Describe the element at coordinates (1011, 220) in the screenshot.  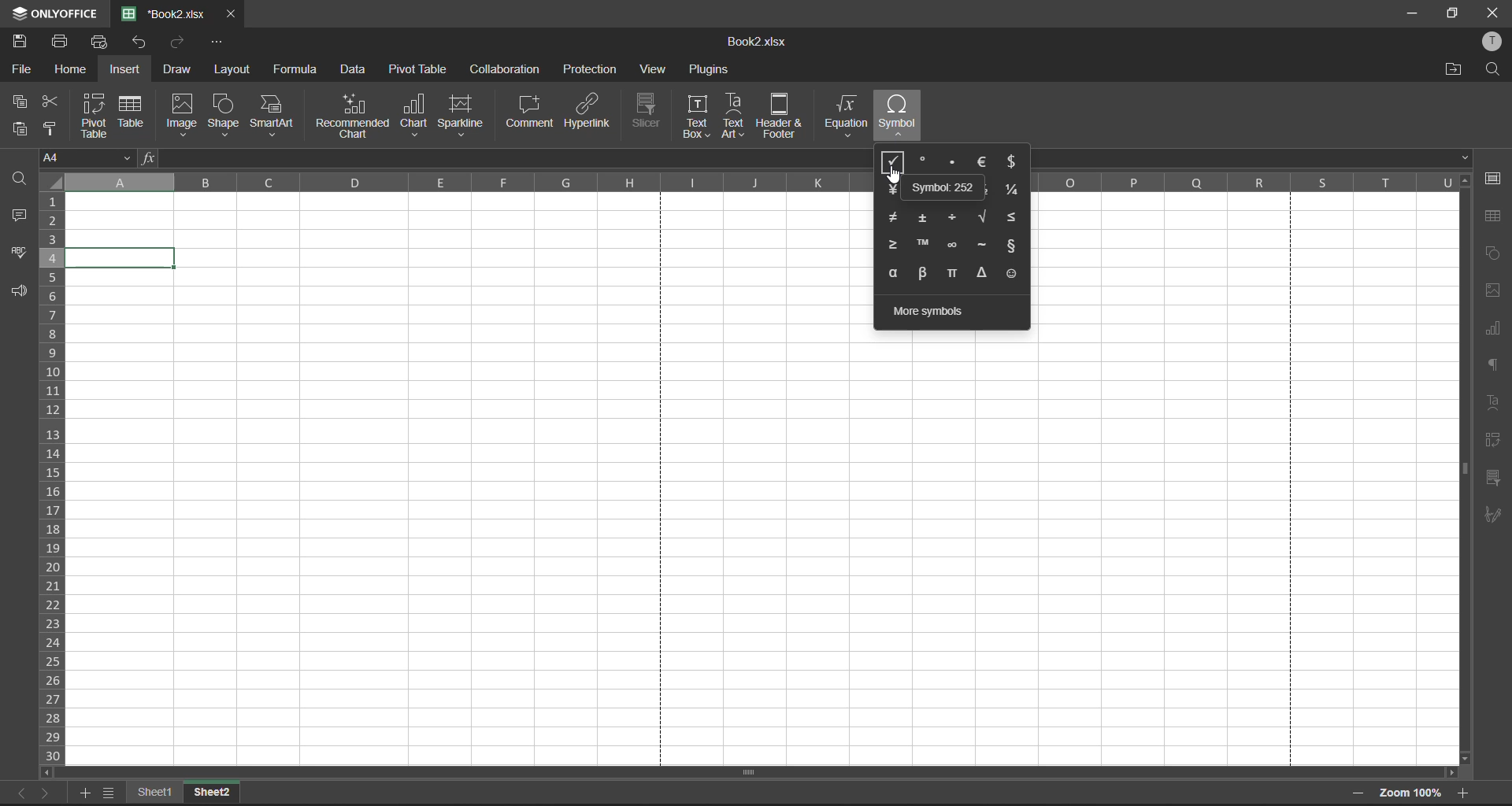
I see `less than or equal to` at that location.